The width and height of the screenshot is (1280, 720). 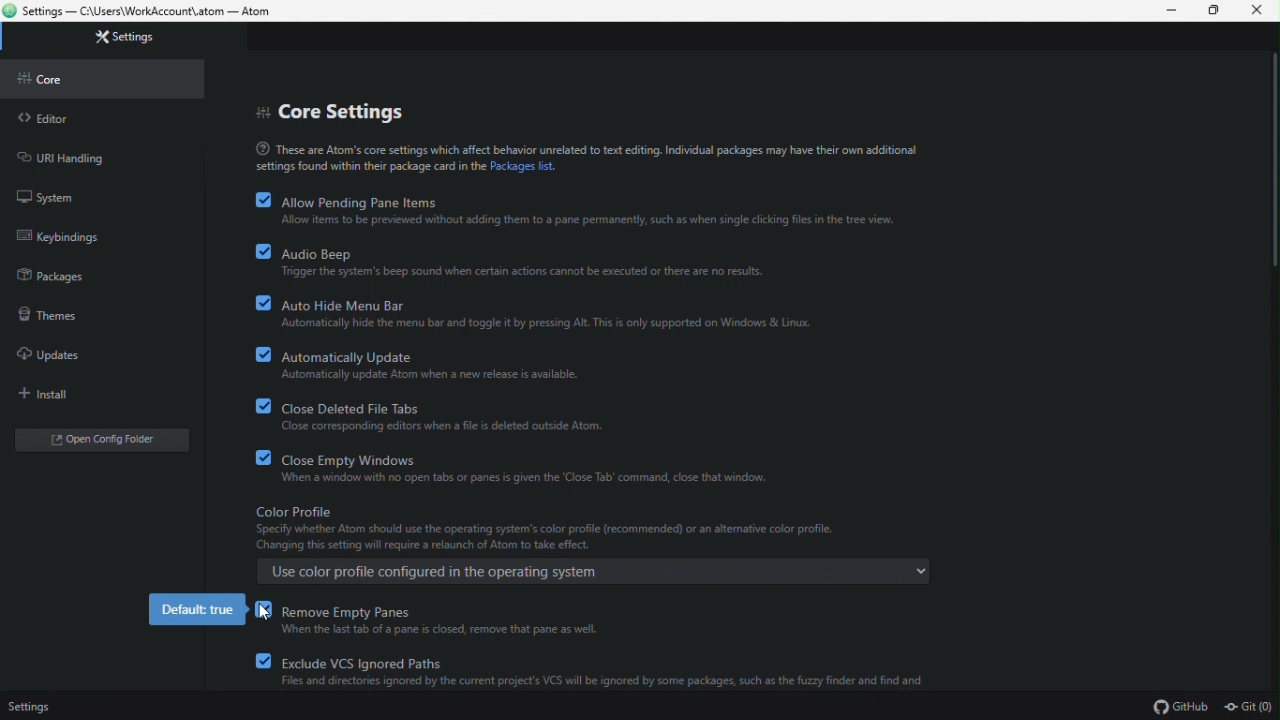 What do you see at coordinates (536, 466) in the screenshot?
I see `close empty windows` at bounding box center [536, 466].